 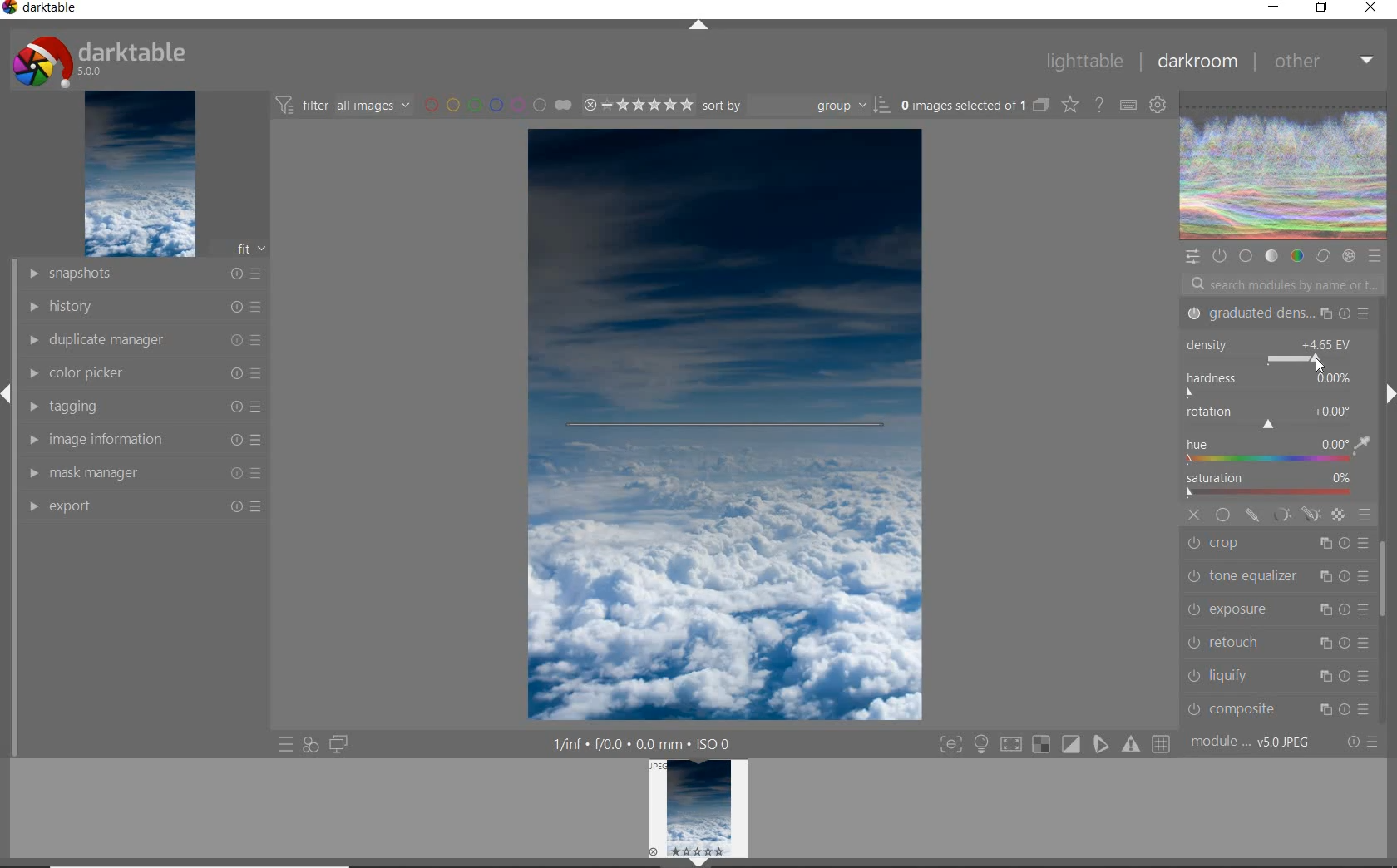 What do you see at coordinates (1196, 62) in the screenshot?
I see `DARKROOM` at bounding box center [1196, 62].